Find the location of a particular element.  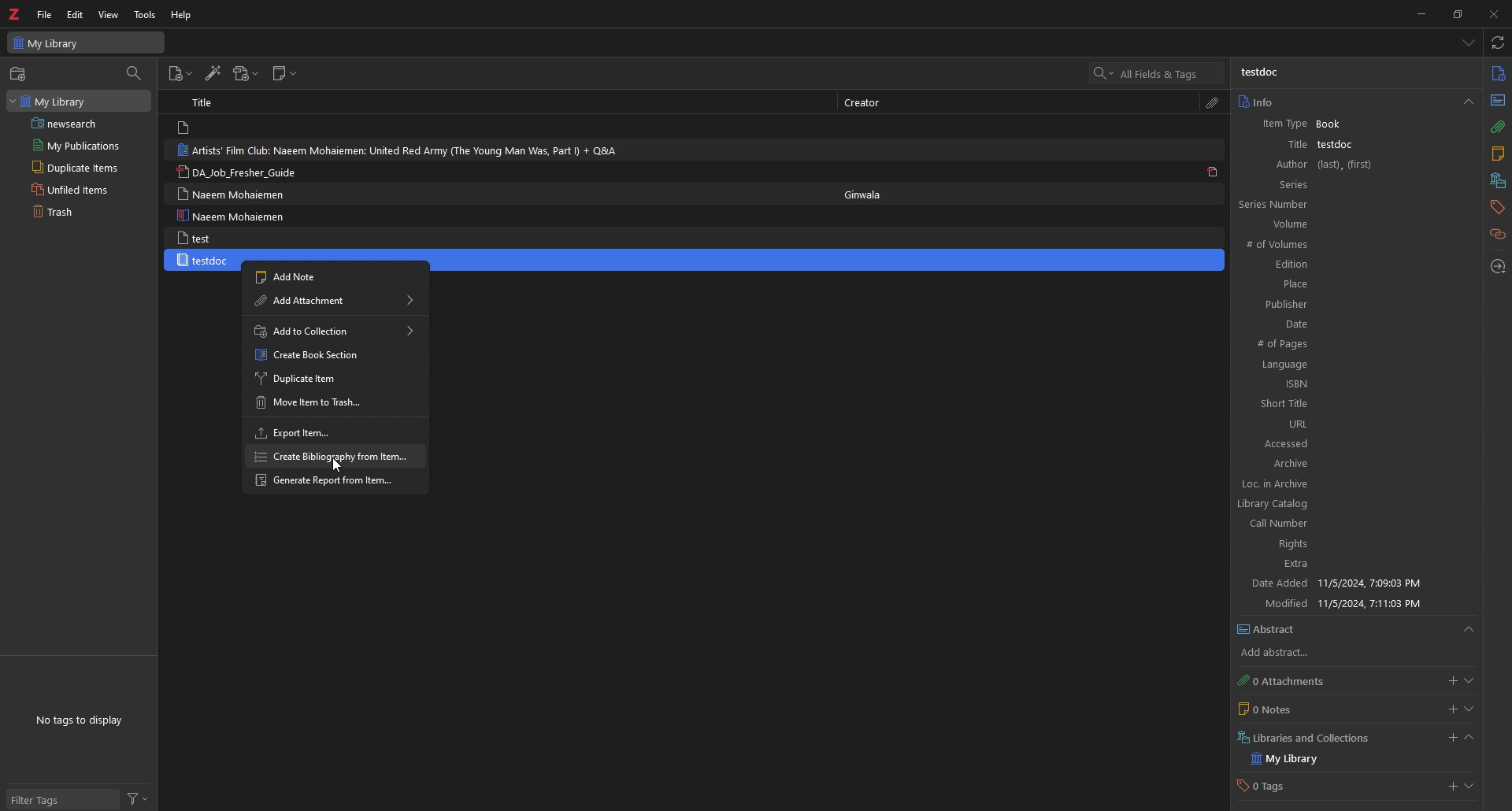

Libraries and Collections is located at coordinates (1309, 736).